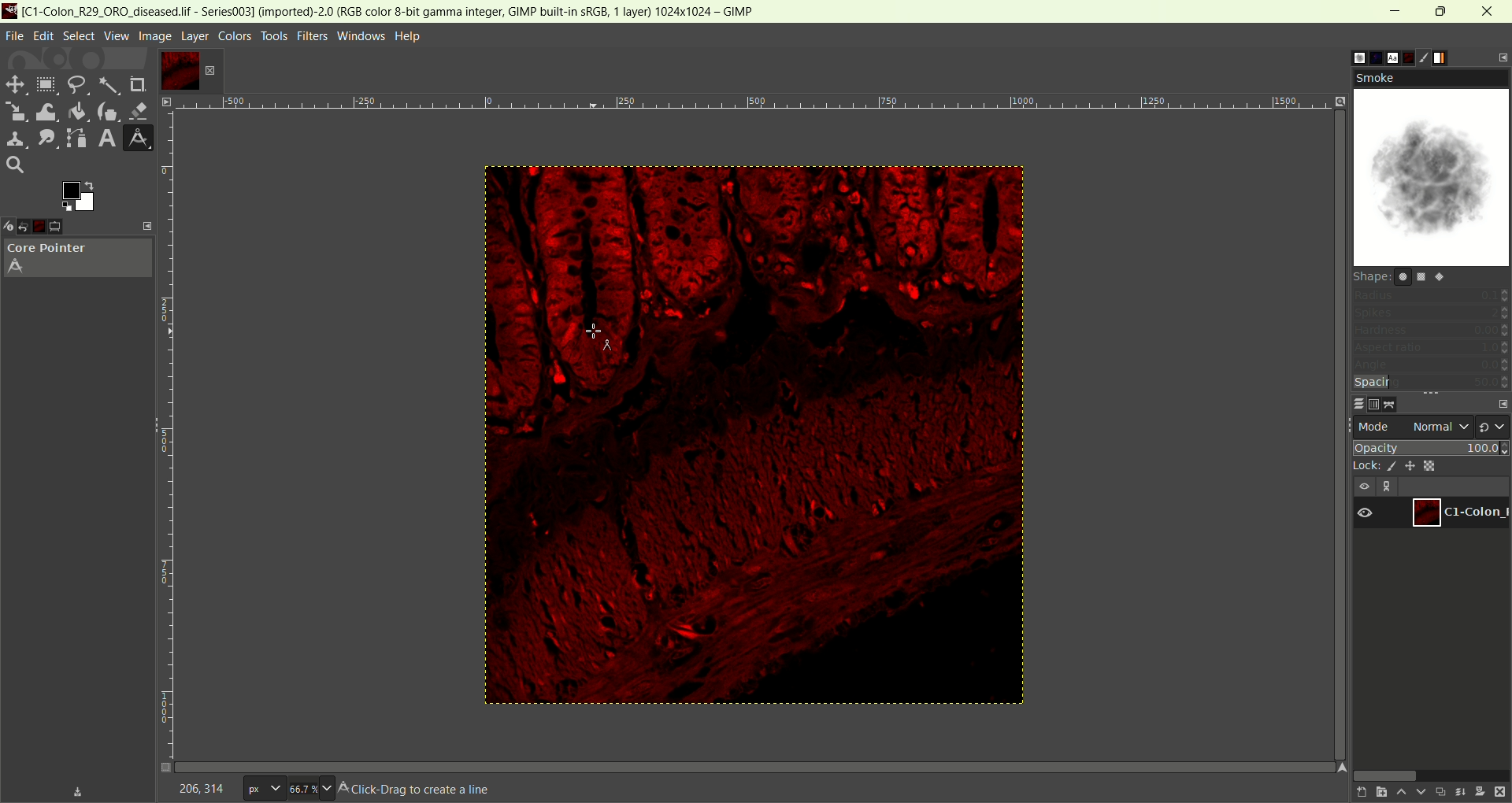 The height and width of the screenshot is (803, 1512). I want to click on smudge tool, so click(43, 138).